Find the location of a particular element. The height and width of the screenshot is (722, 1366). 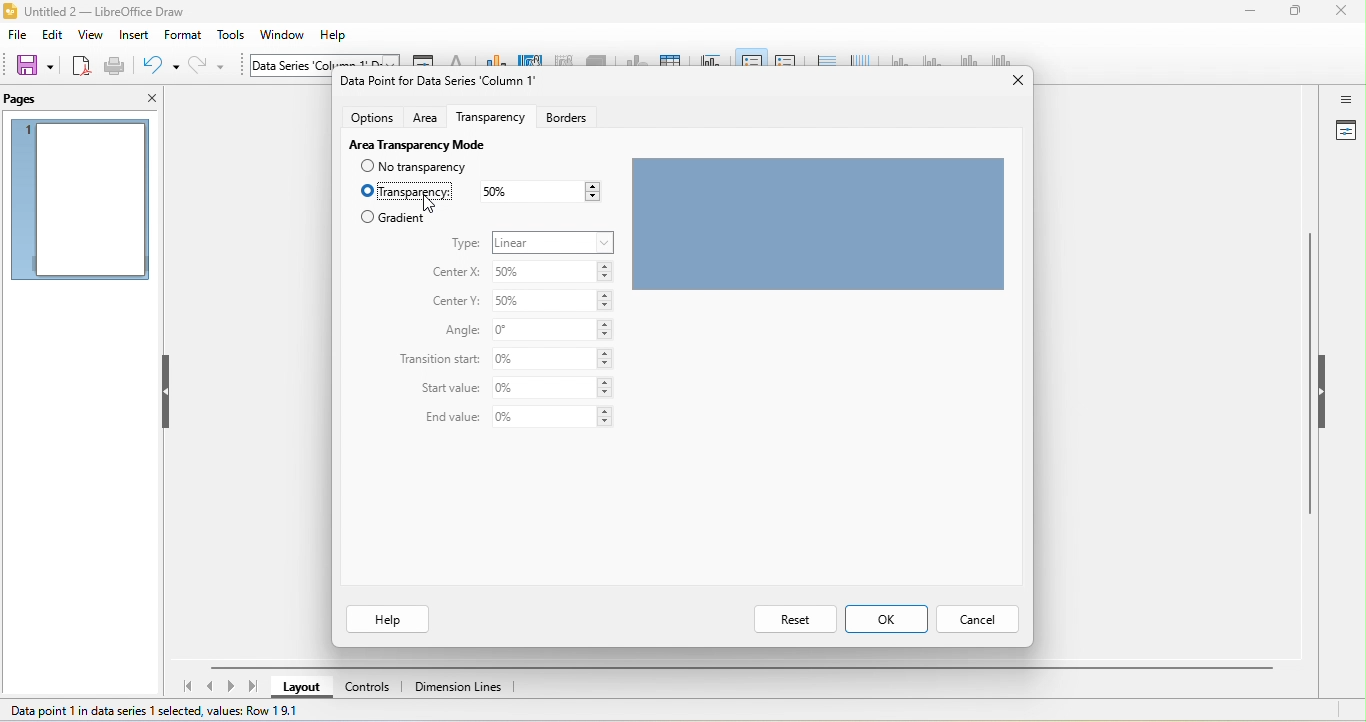

export as pdf is located at coordinates (81, 65).